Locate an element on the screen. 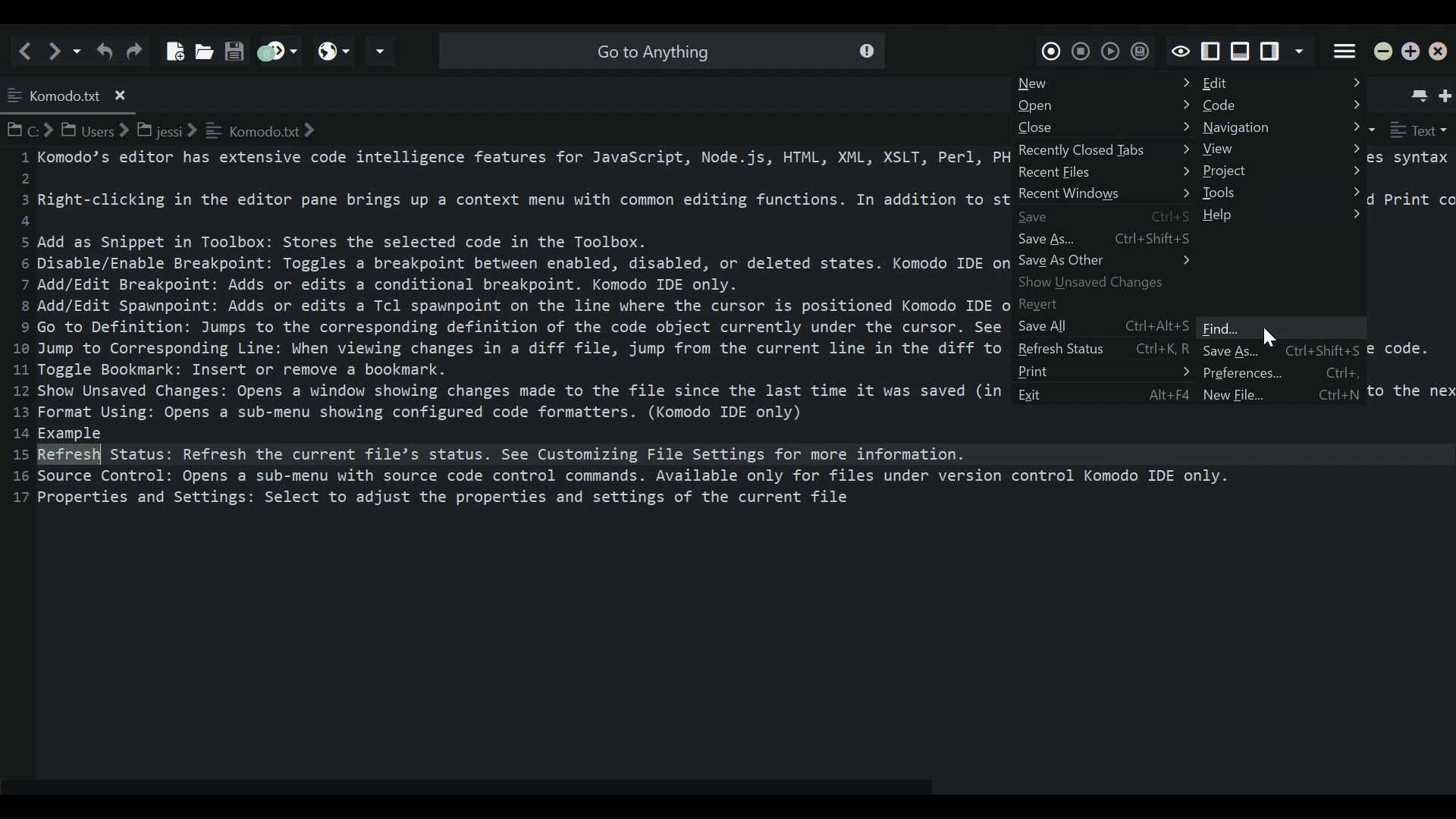 This screenshot has height=819, width=1456. Redo is located at coordinates (137, 50).